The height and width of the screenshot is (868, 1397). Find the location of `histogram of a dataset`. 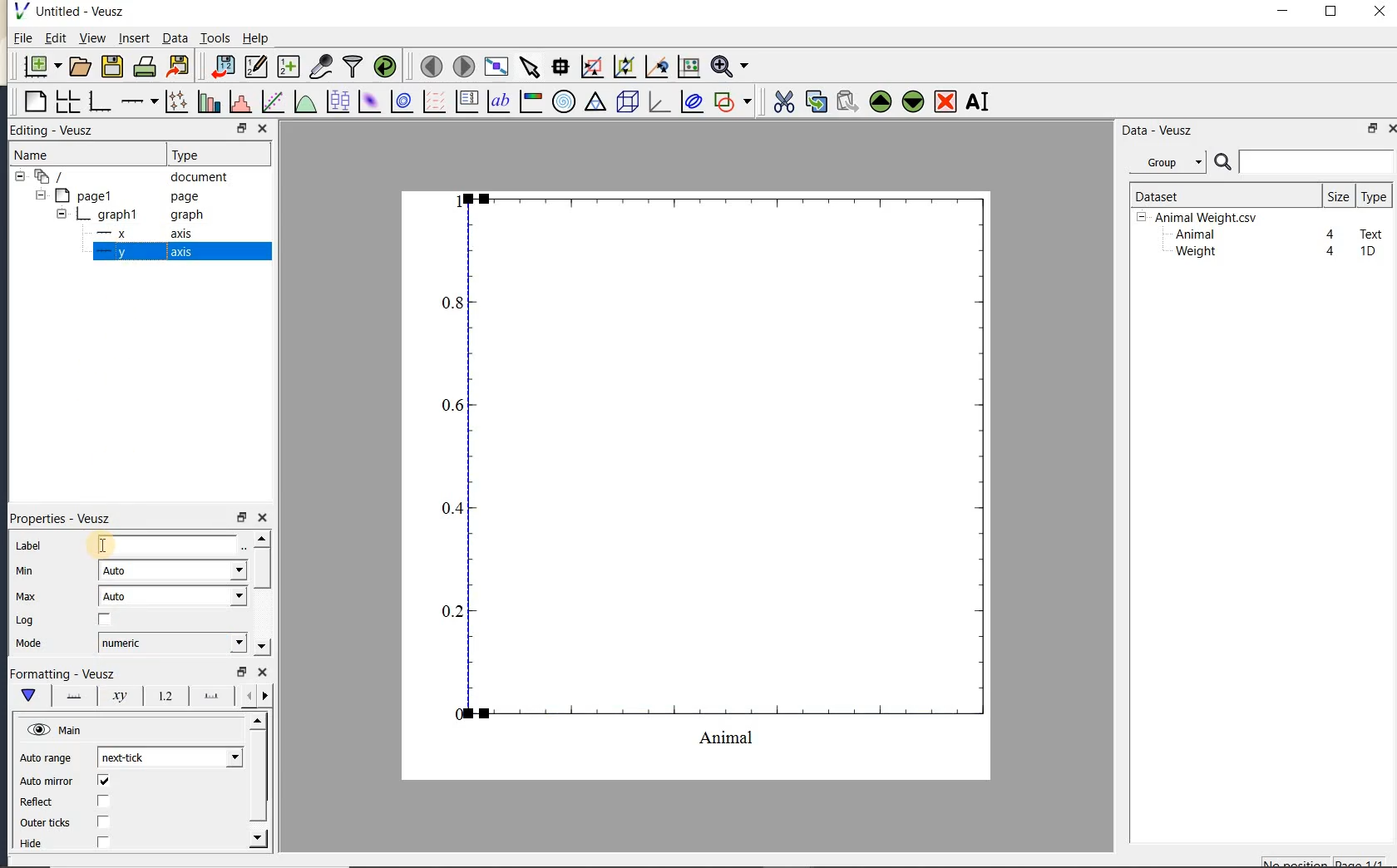

histogram of a dataset is located at coordinates (239, 101).